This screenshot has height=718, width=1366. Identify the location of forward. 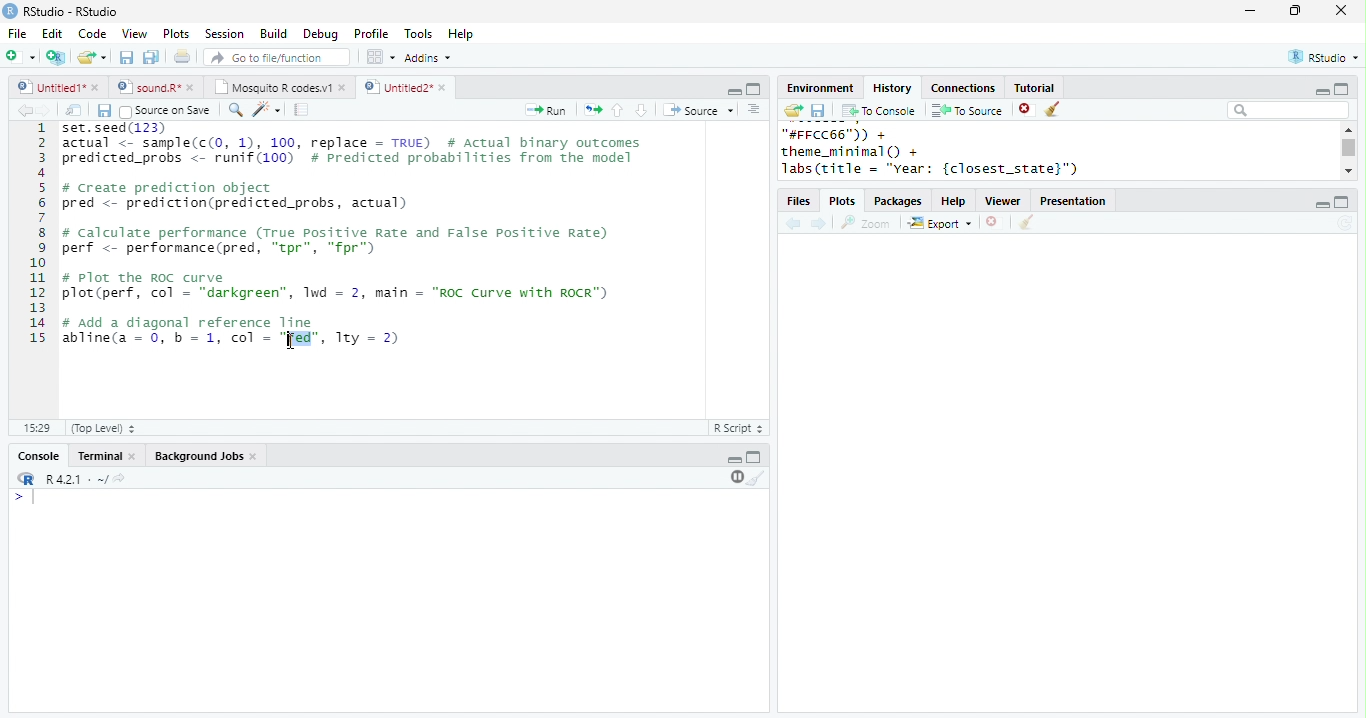
(44, 110).